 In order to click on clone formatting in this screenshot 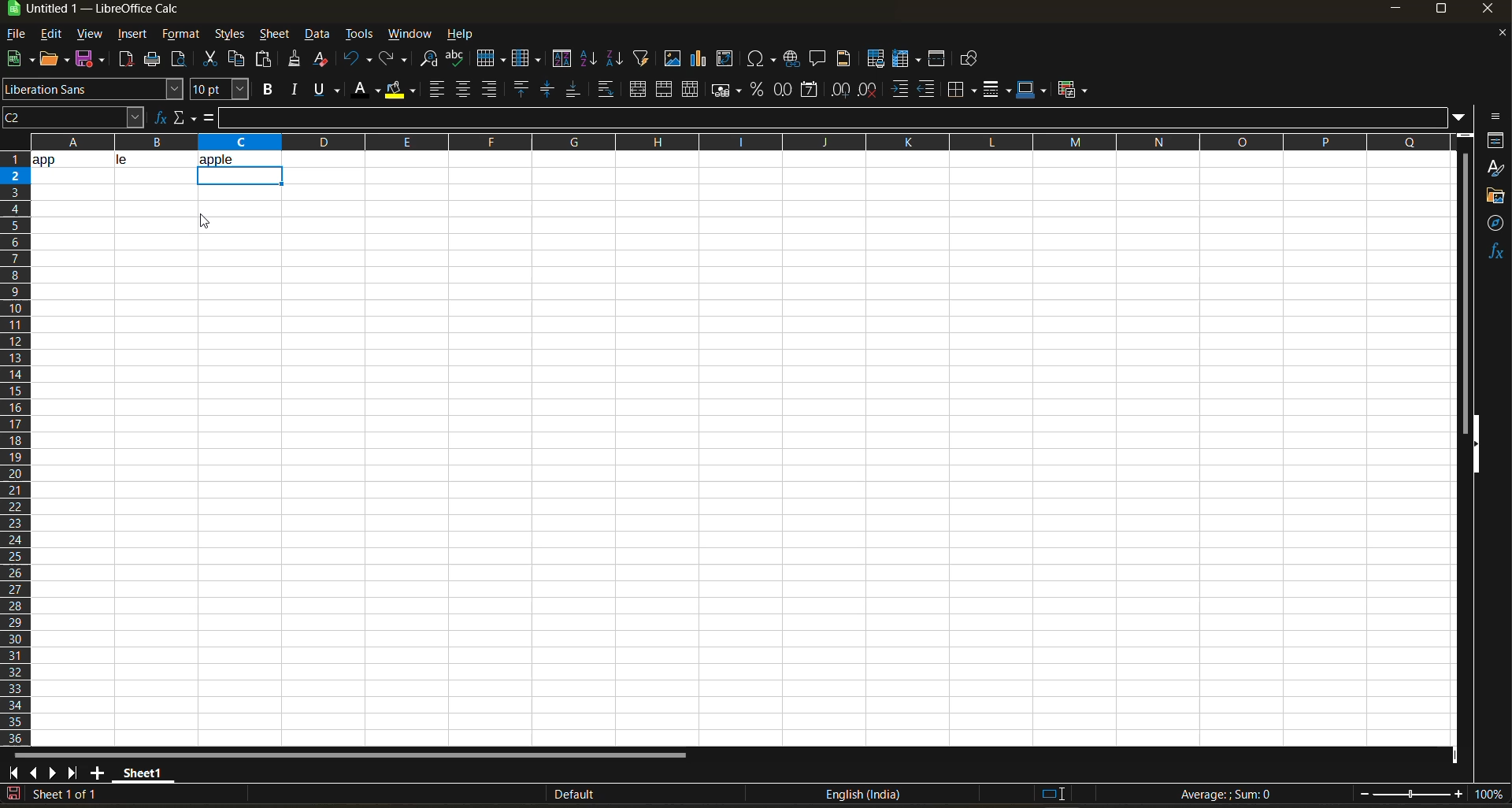, I will do `click(295, 61)`.